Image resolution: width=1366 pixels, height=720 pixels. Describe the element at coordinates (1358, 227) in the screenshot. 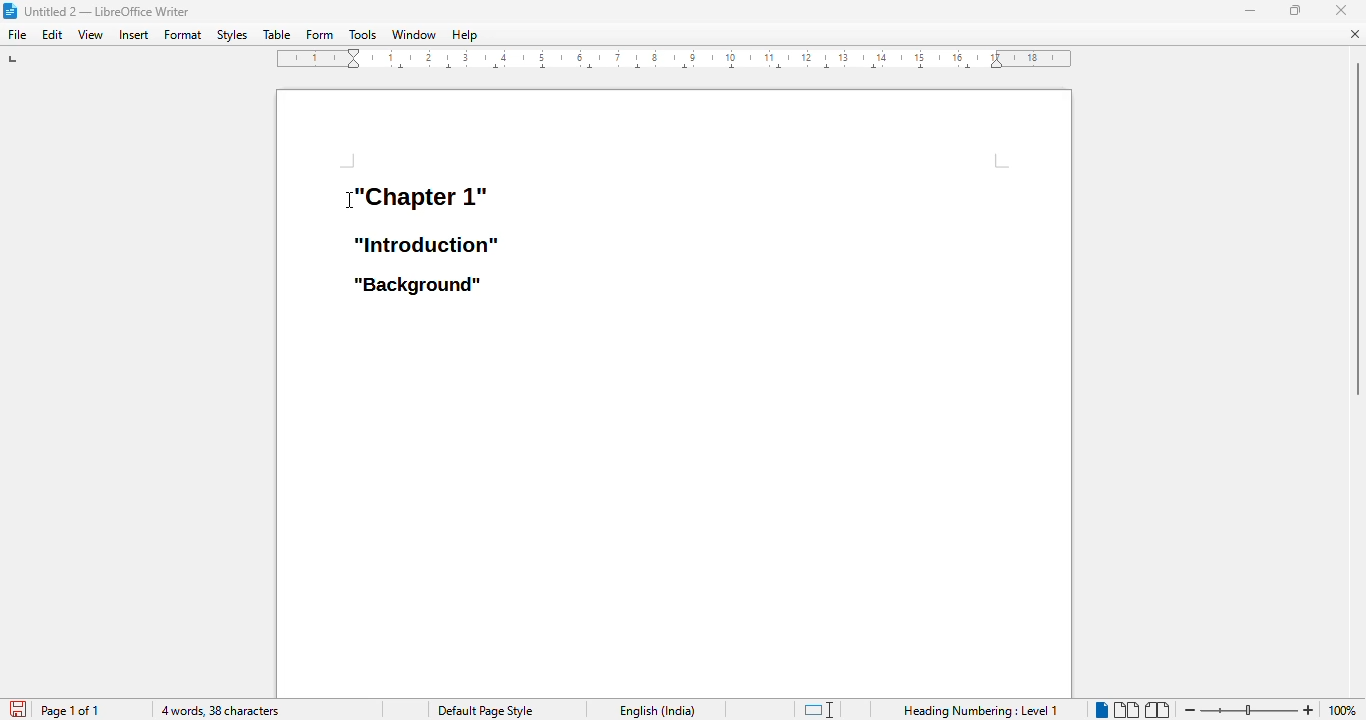

I see `vertical scroll bar` at that location.